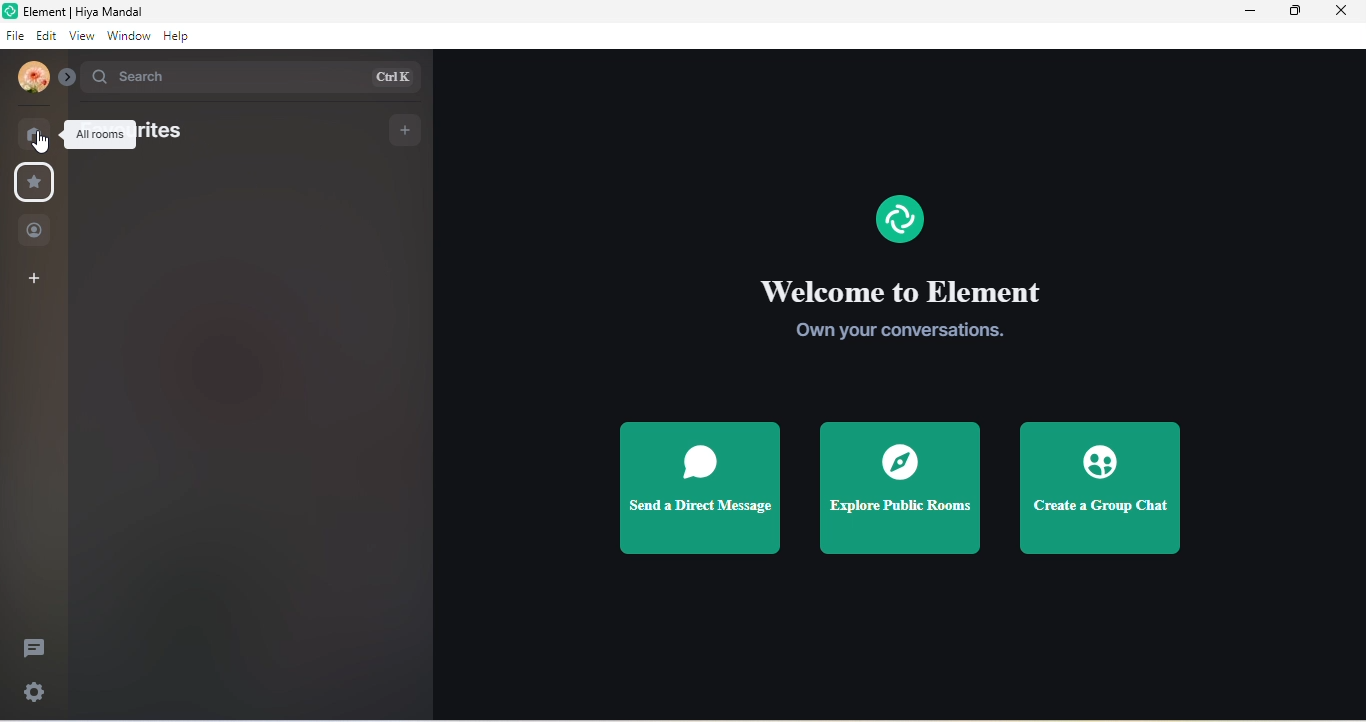  What do you see at coordinates (899, 219) in the screenshot?
I see `logo` at bounding box center [899, 219].